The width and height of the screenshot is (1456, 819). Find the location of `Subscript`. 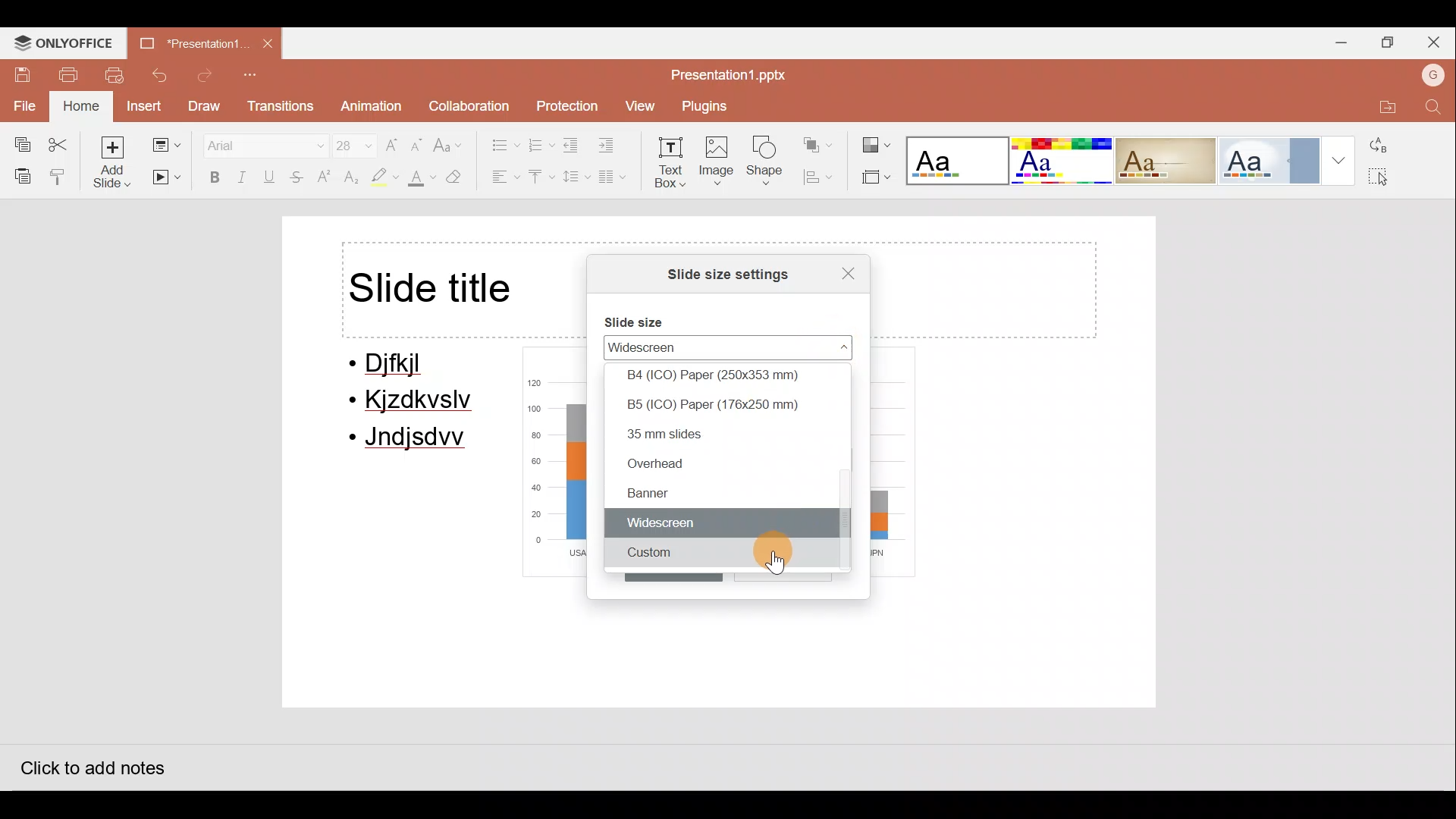

Subscript is located at coordinates (349, 179).